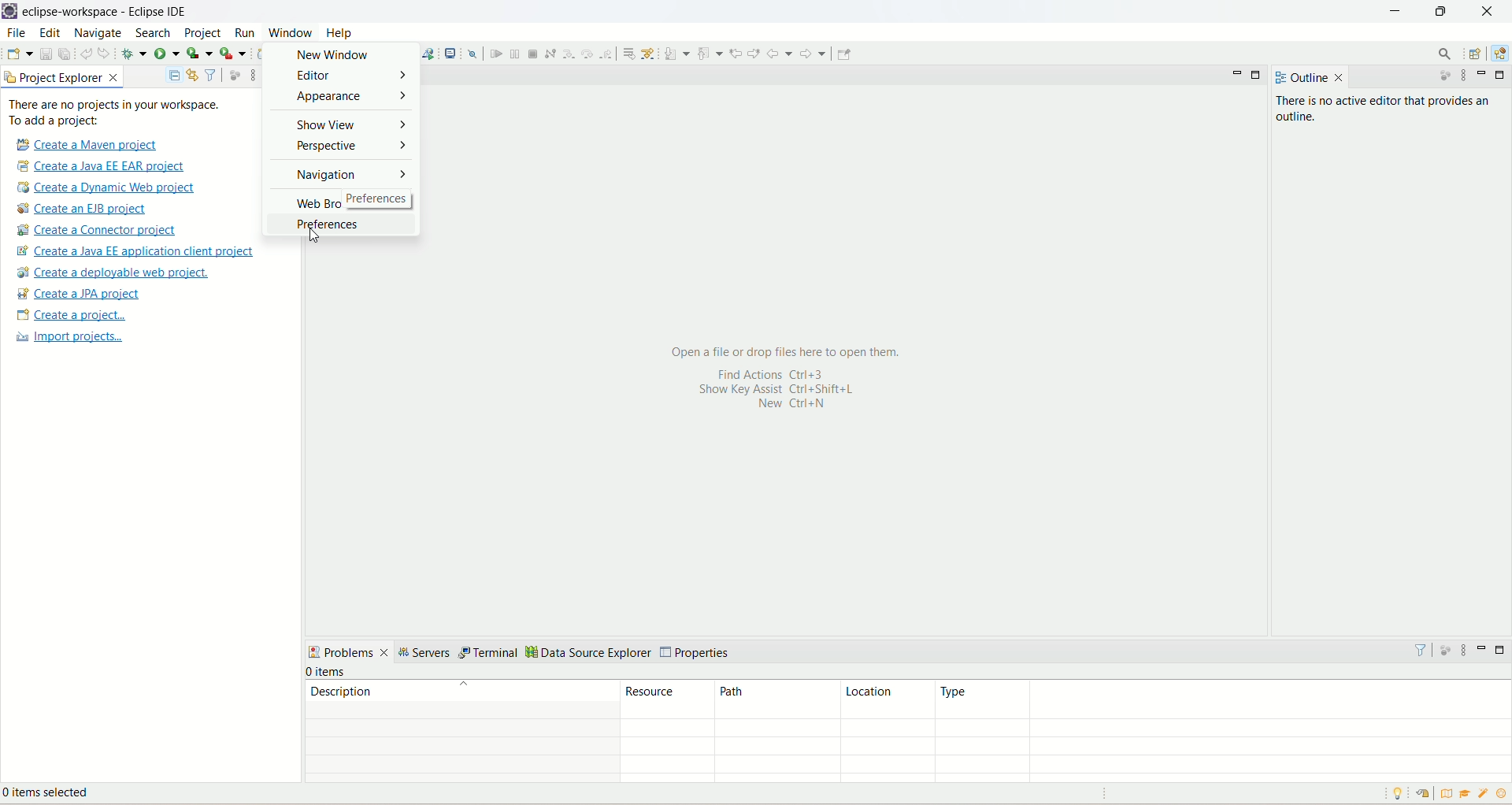 Image resolution: width=1512 pixels, height=805 pixels. What do you see at coordinates (115, 113) in the screenshot?
I see `There are no projects in your workspace. To add a project:` at bounding box center [115, 113].